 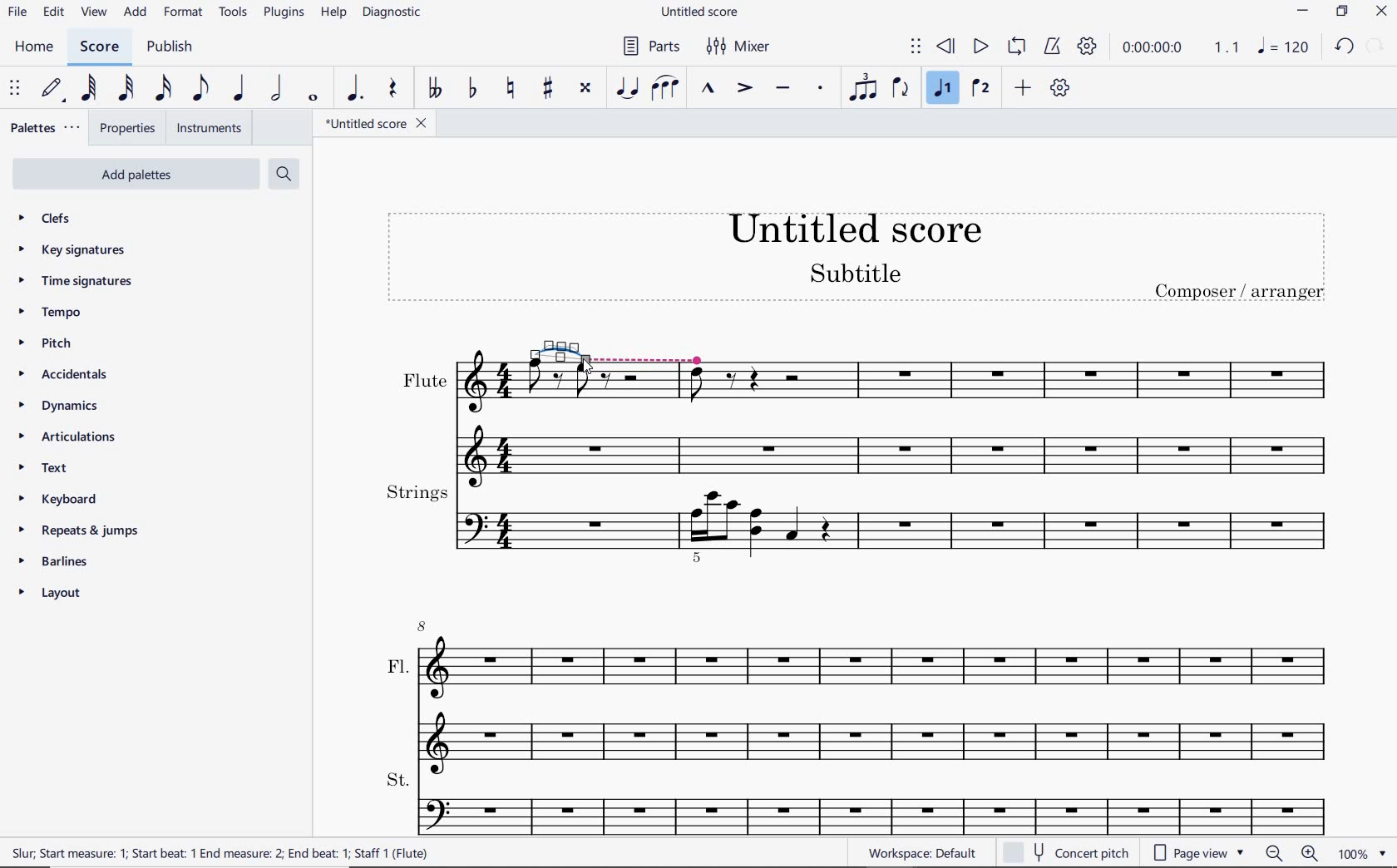 What do you see at coordinates (1028, 410) in the screenshot?
I see `Flute` at bounding box center [1028, 410].